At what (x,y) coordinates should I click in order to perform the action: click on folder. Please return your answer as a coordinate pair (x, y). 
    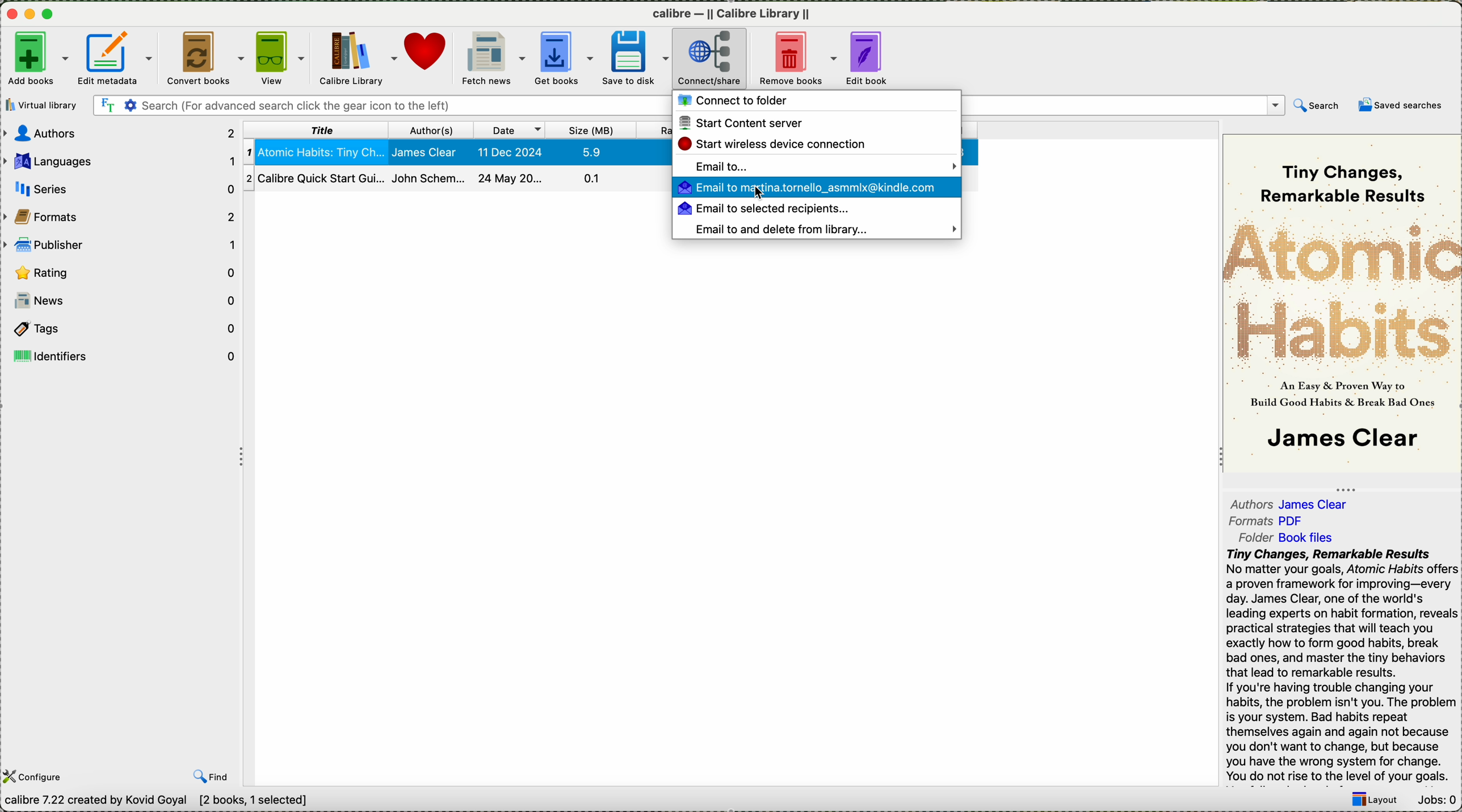
    Looking at the image, I should click on (1290, 538).